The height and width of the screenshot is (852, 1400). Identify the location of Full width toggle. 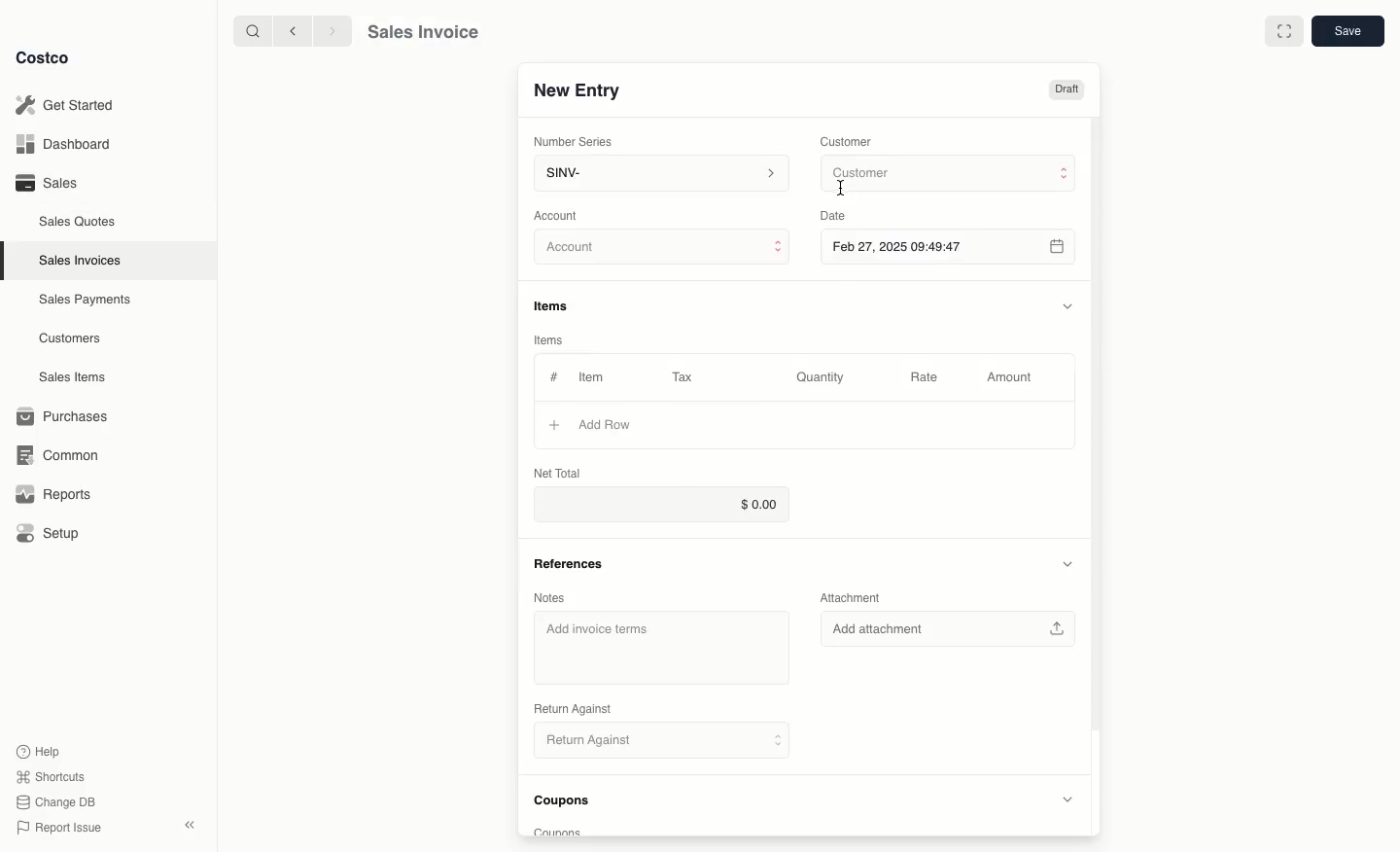
(1283, 31).